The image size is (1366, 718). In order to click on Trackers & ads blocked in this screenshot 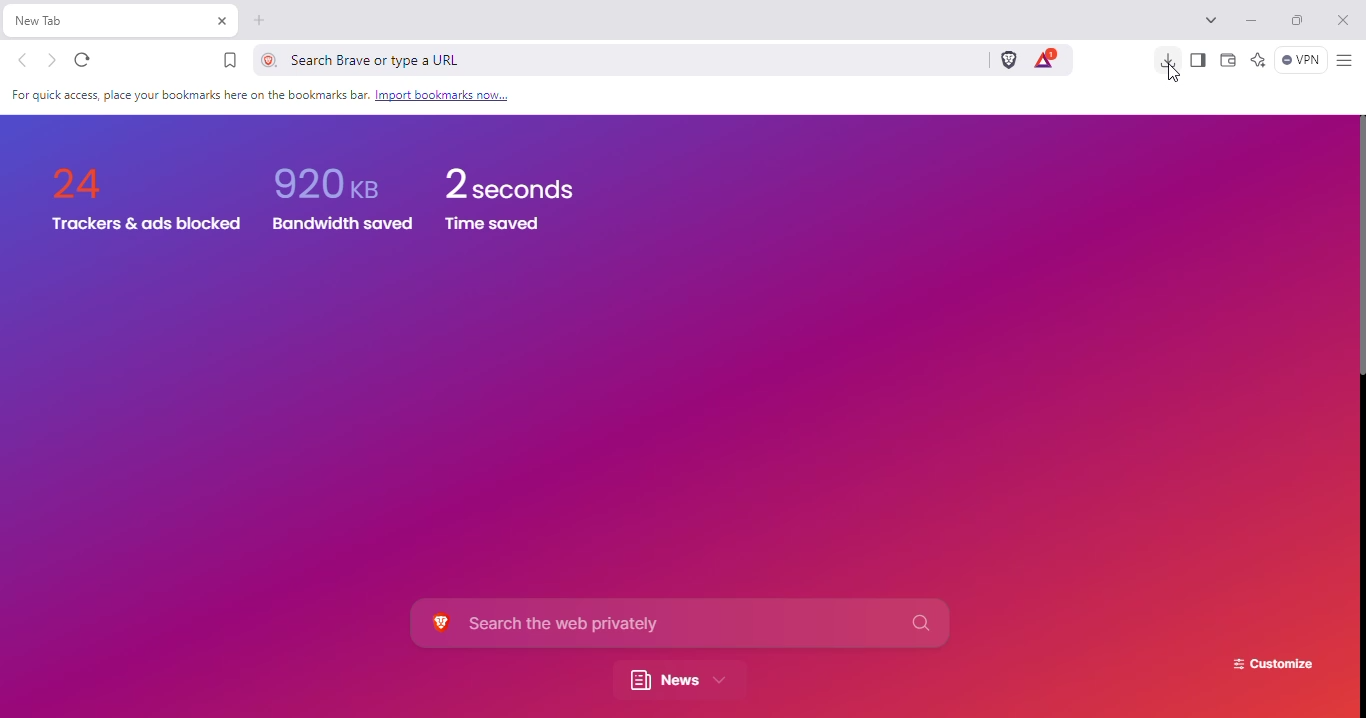, I will do `click(145, 225)`.